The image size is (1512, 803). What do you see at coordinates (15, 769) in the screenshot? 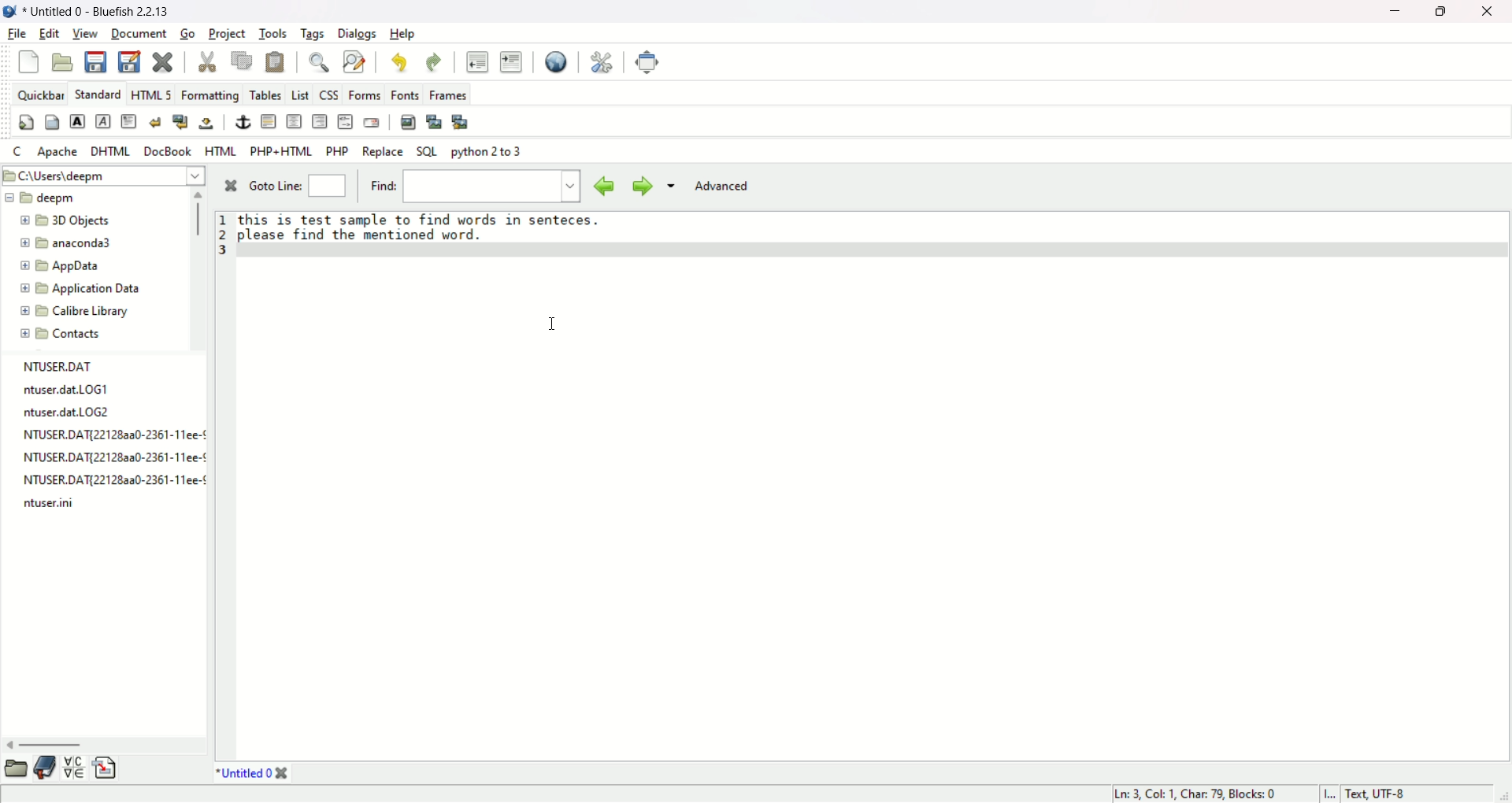
I see `open` at bounding box center [15, 769].